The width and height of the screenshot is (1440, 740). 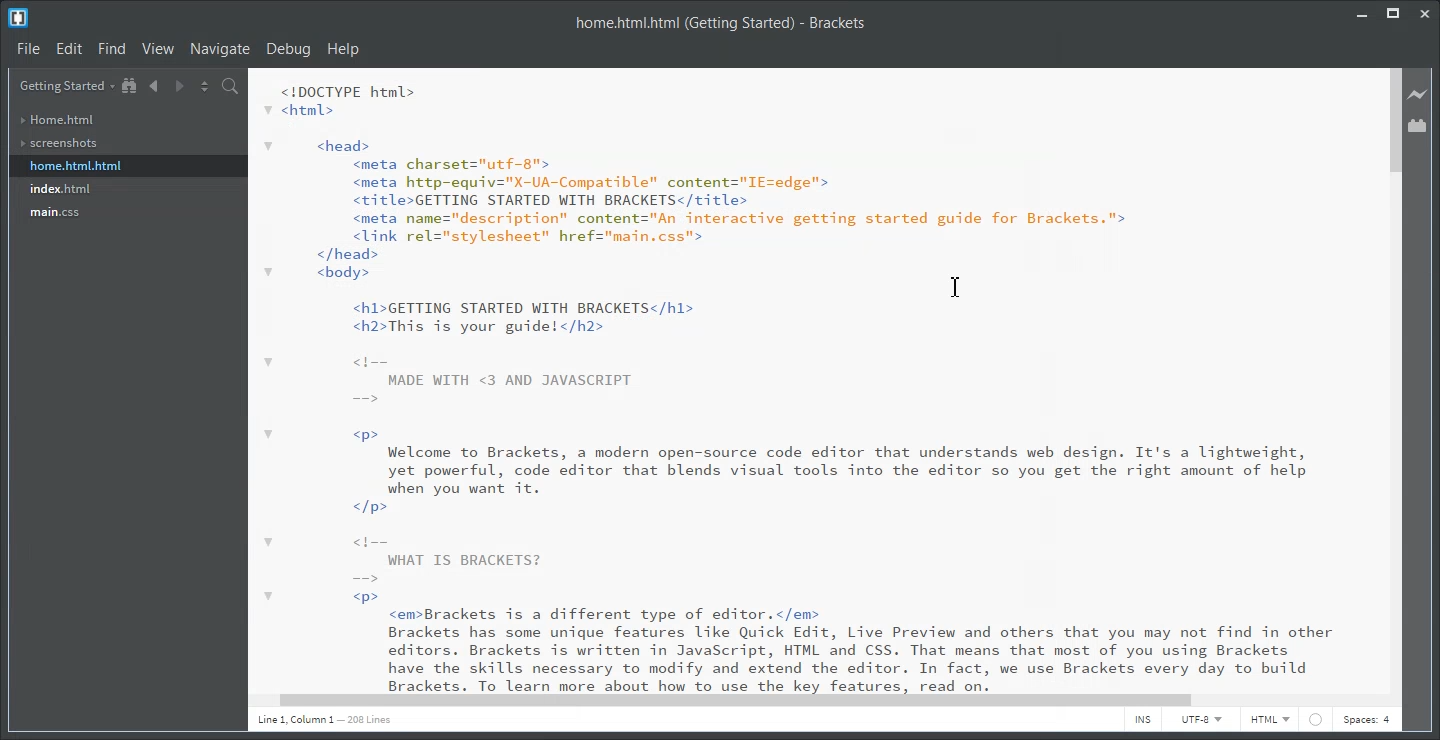 I want to click on Text 1, so click(x=722, y=23).